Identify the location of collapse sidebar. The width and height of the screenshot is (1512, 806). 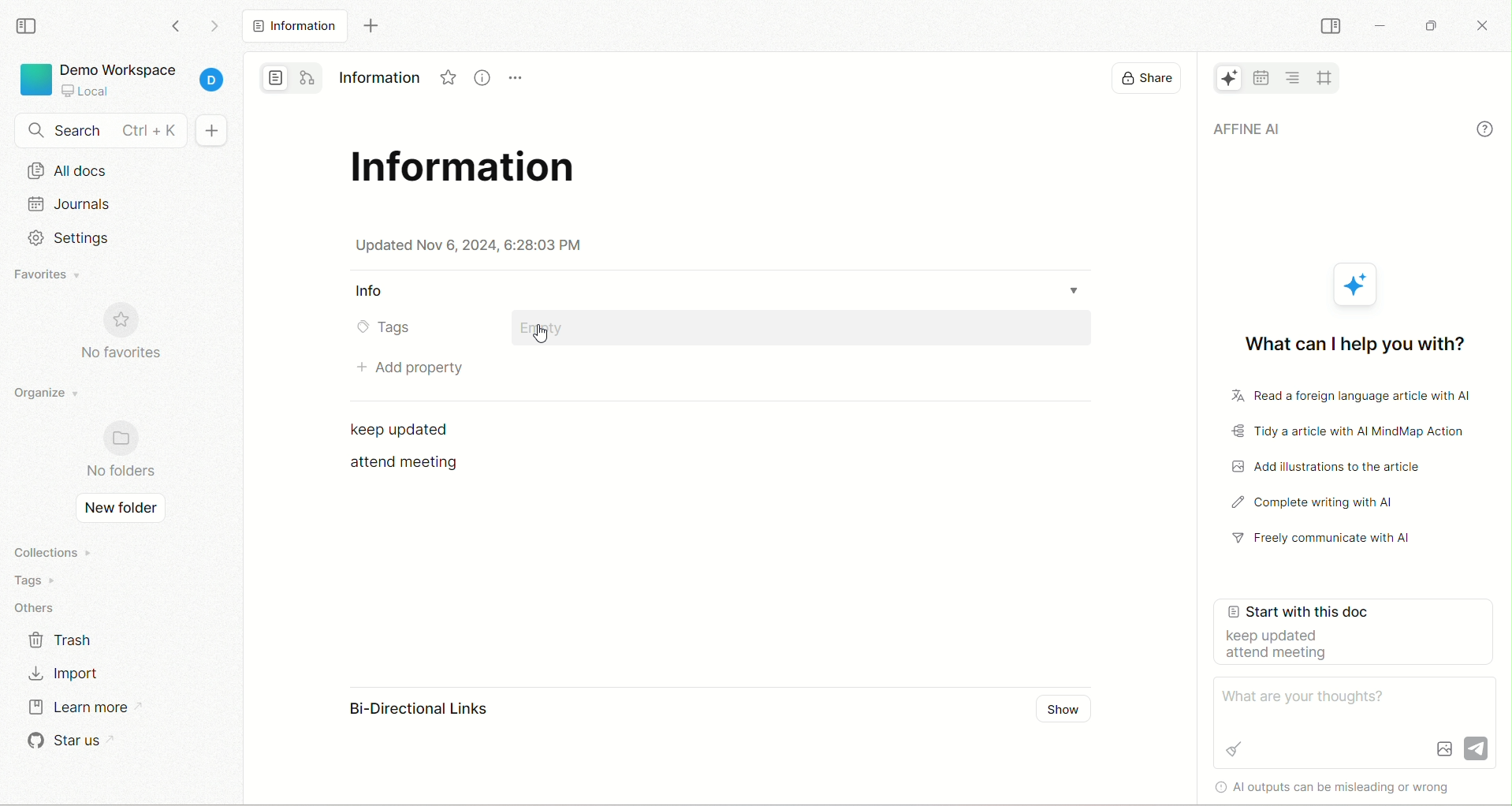
(27, 27).